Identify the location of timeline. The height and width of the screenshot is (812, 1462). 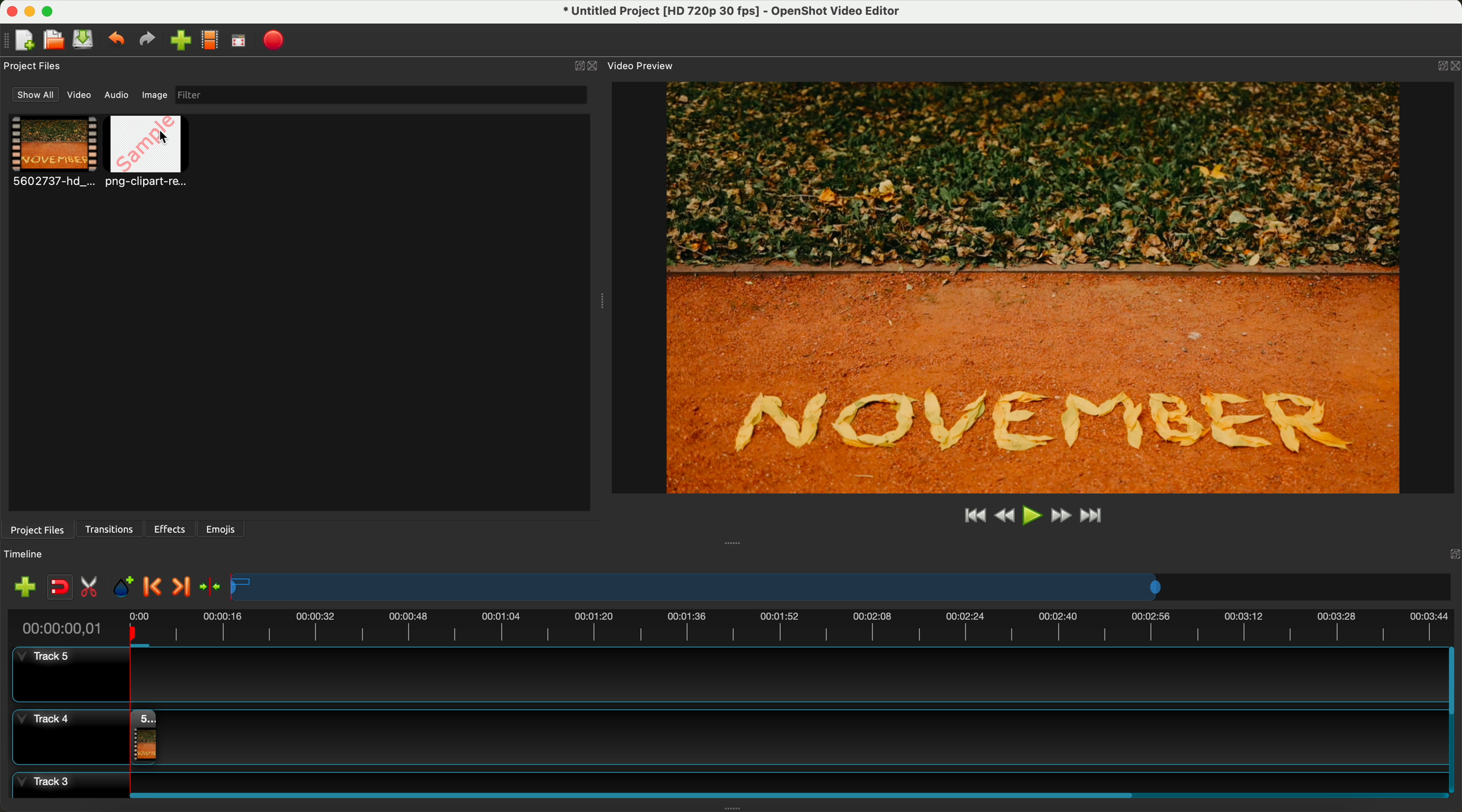
(730, 626).